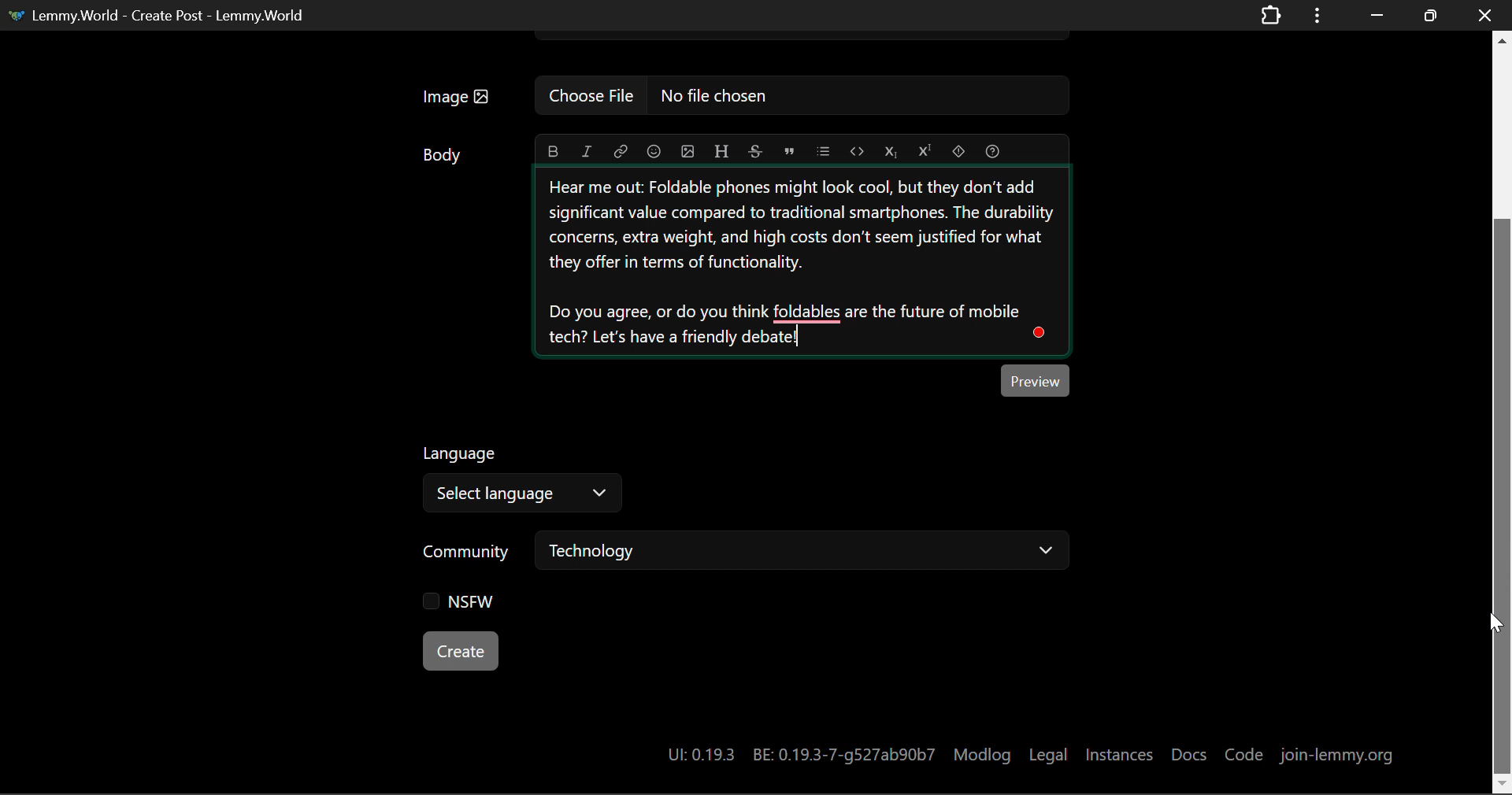 The width and height of the screenshot is (1512, 795). Describe the element at coordinates (586, 150) in the screenshot. I see `italic` at that location.